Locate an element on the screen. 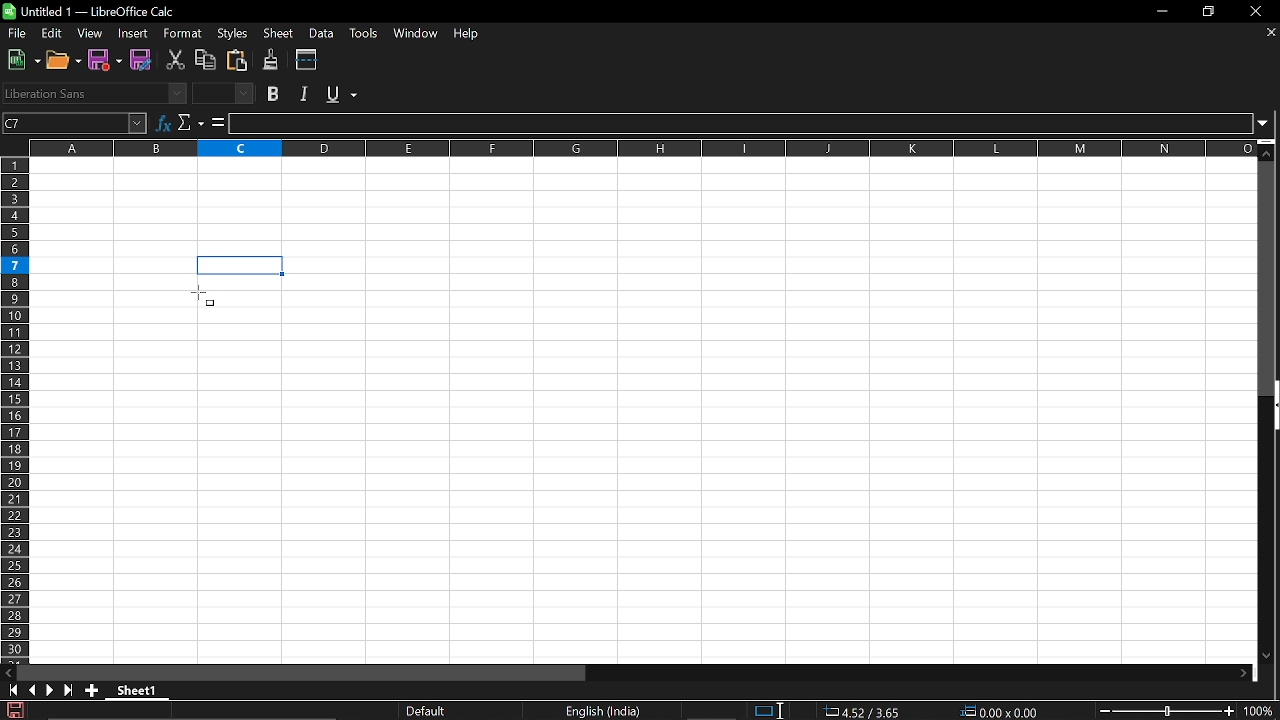 The image size is (1280, 720). Close  is located at coordinates (1260, 11).